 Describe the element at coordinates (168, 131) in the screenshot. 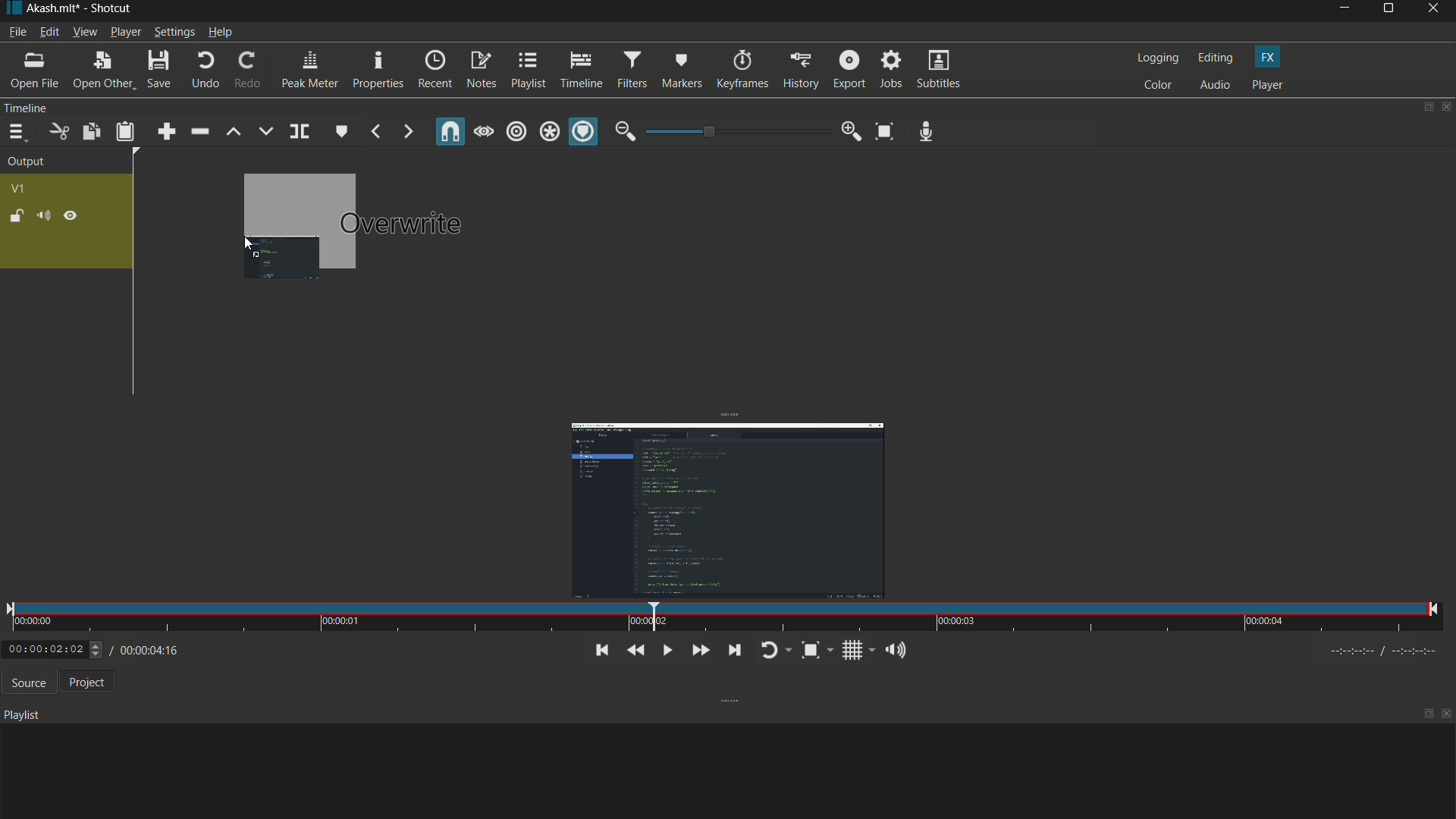

I see `append` at that location.